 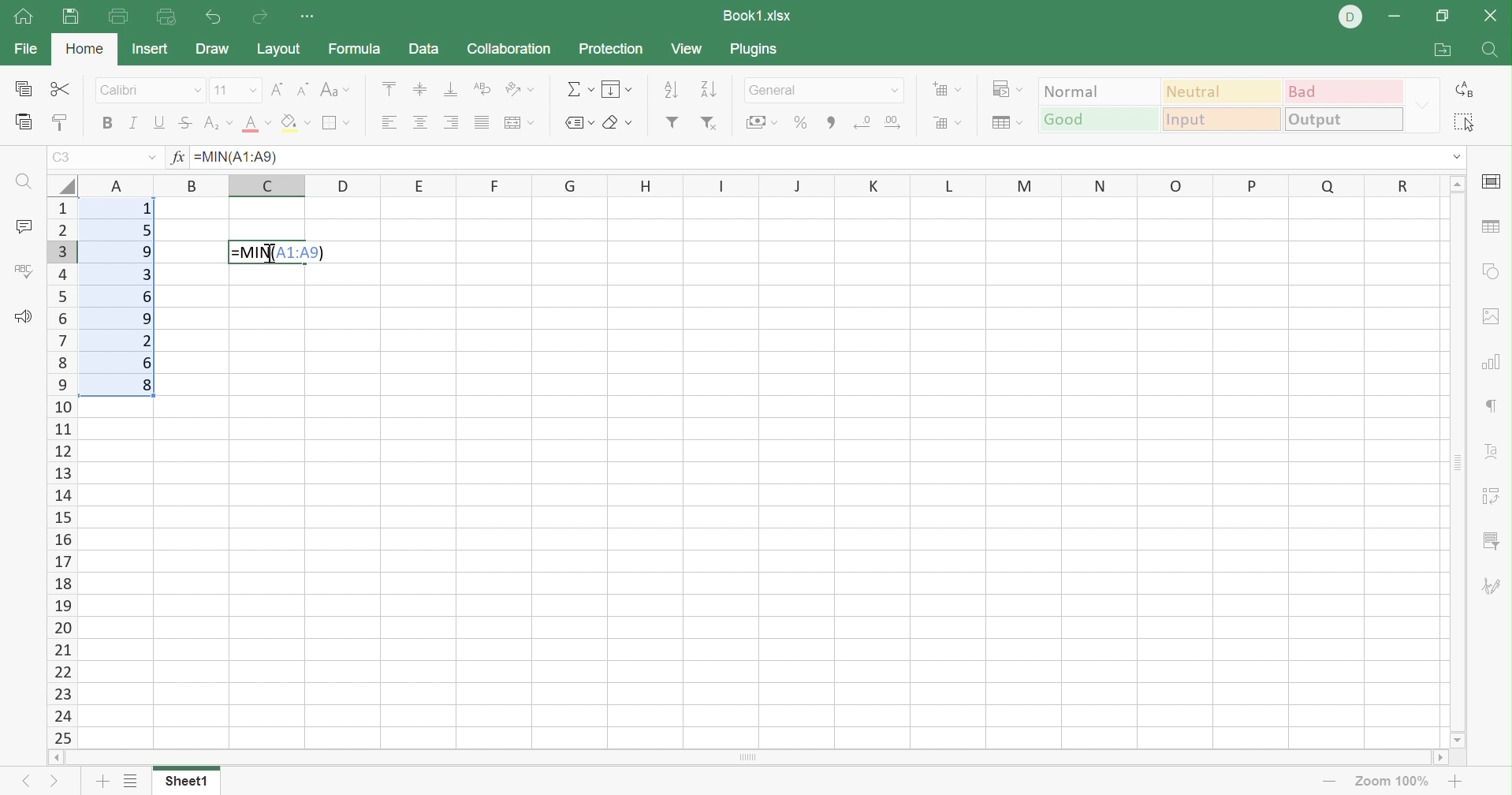 What do you see at coordinates (69, 17) in the screenshot?
I see `Save` at bounding box center [69, 17].